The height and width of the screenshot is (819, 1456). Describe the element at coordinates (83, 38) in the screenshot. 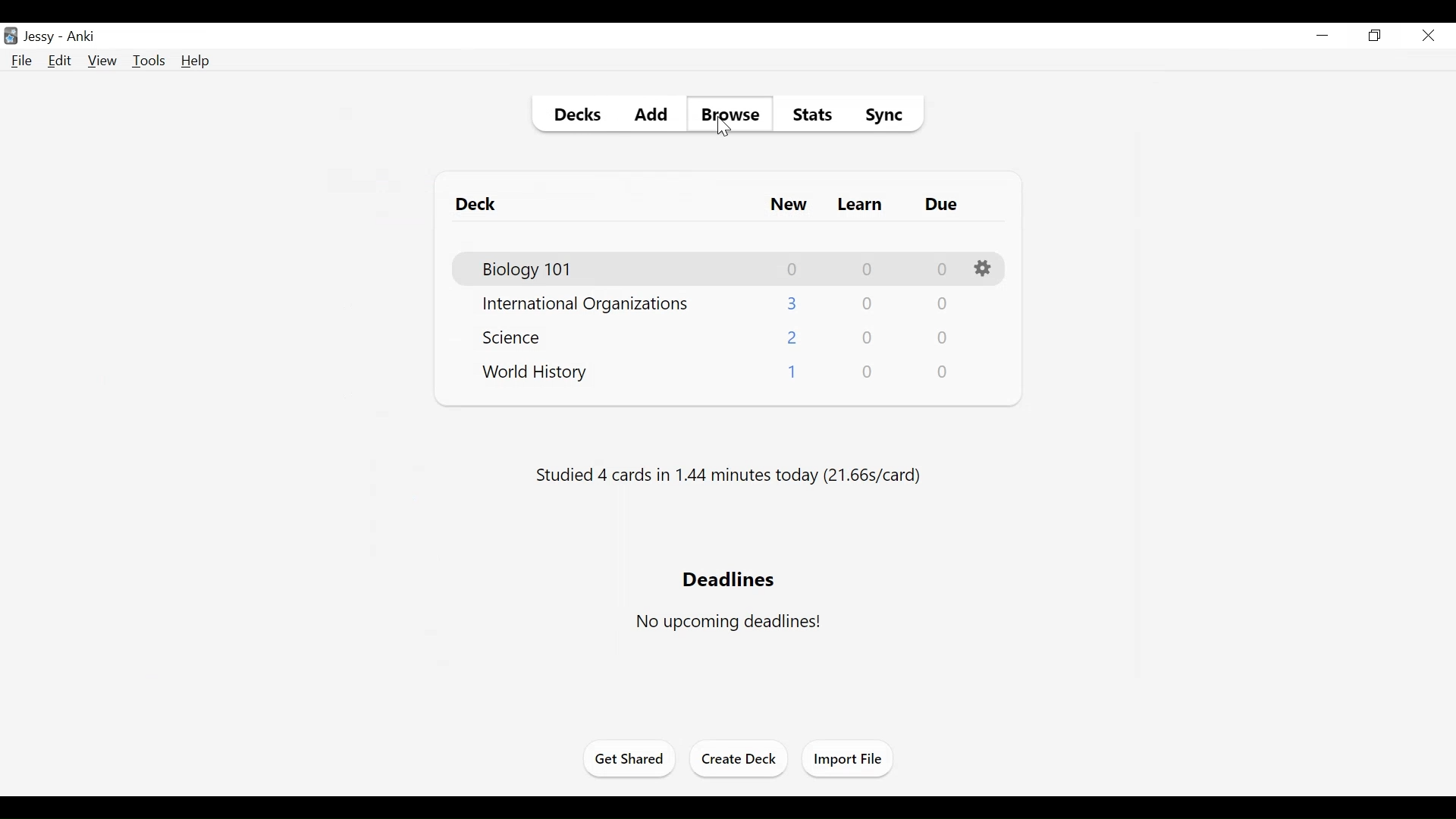

I see `Anki` at that location.